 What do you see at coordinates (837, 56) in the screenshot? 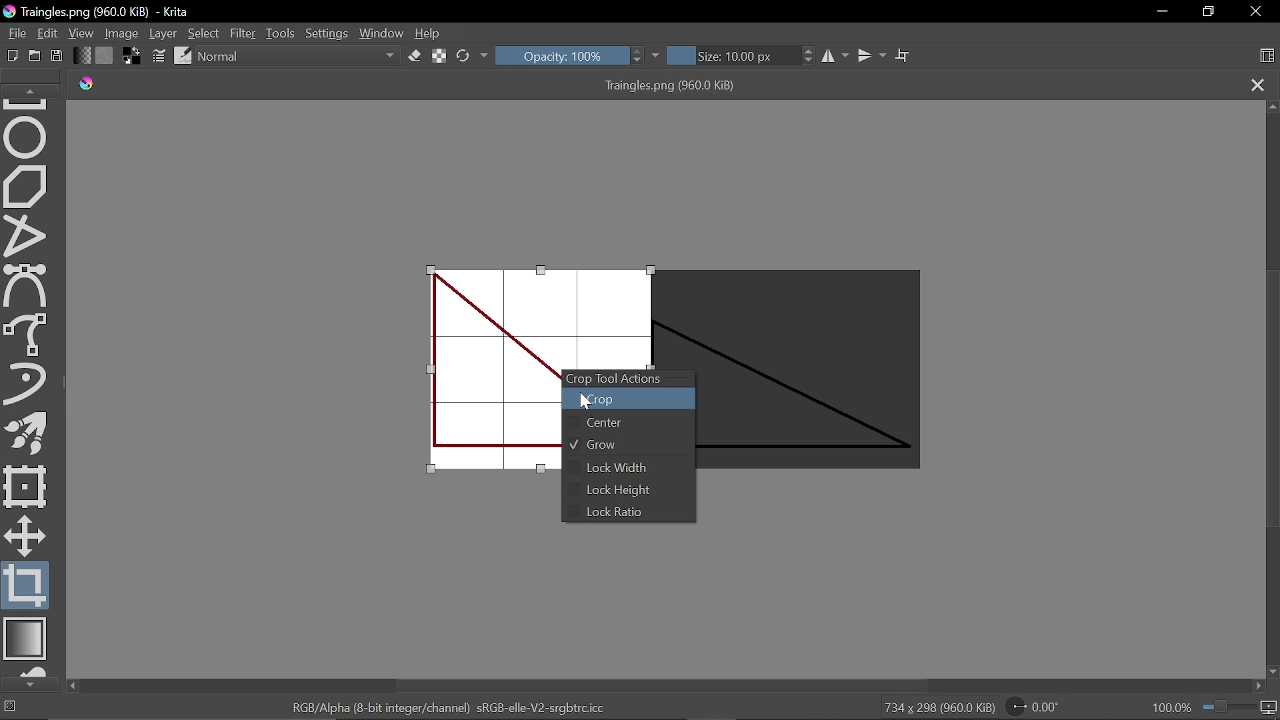
I see `Horizontal mirror tool` at bounding box center [837, 56].